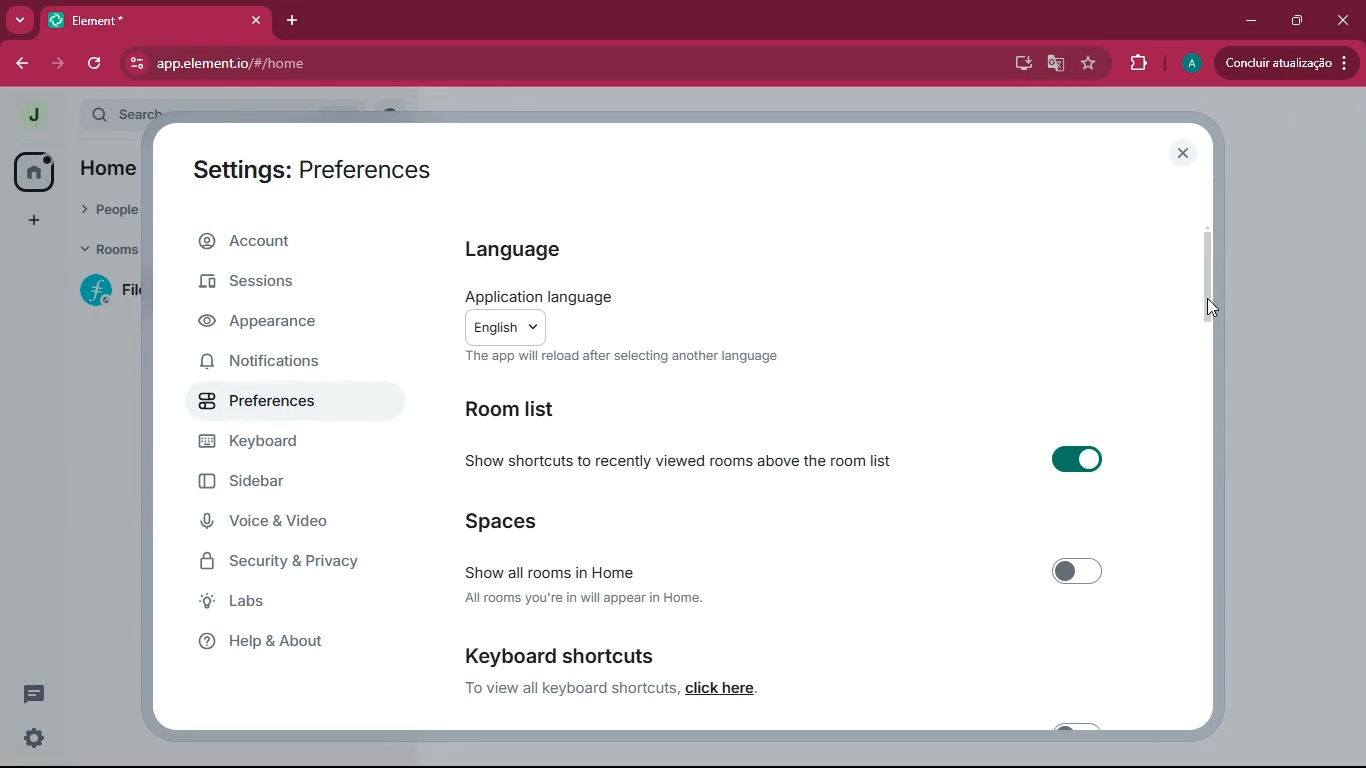 The height and width of the screenshot is (768, 1366). I want to click on desktop, so click(1022, 65).